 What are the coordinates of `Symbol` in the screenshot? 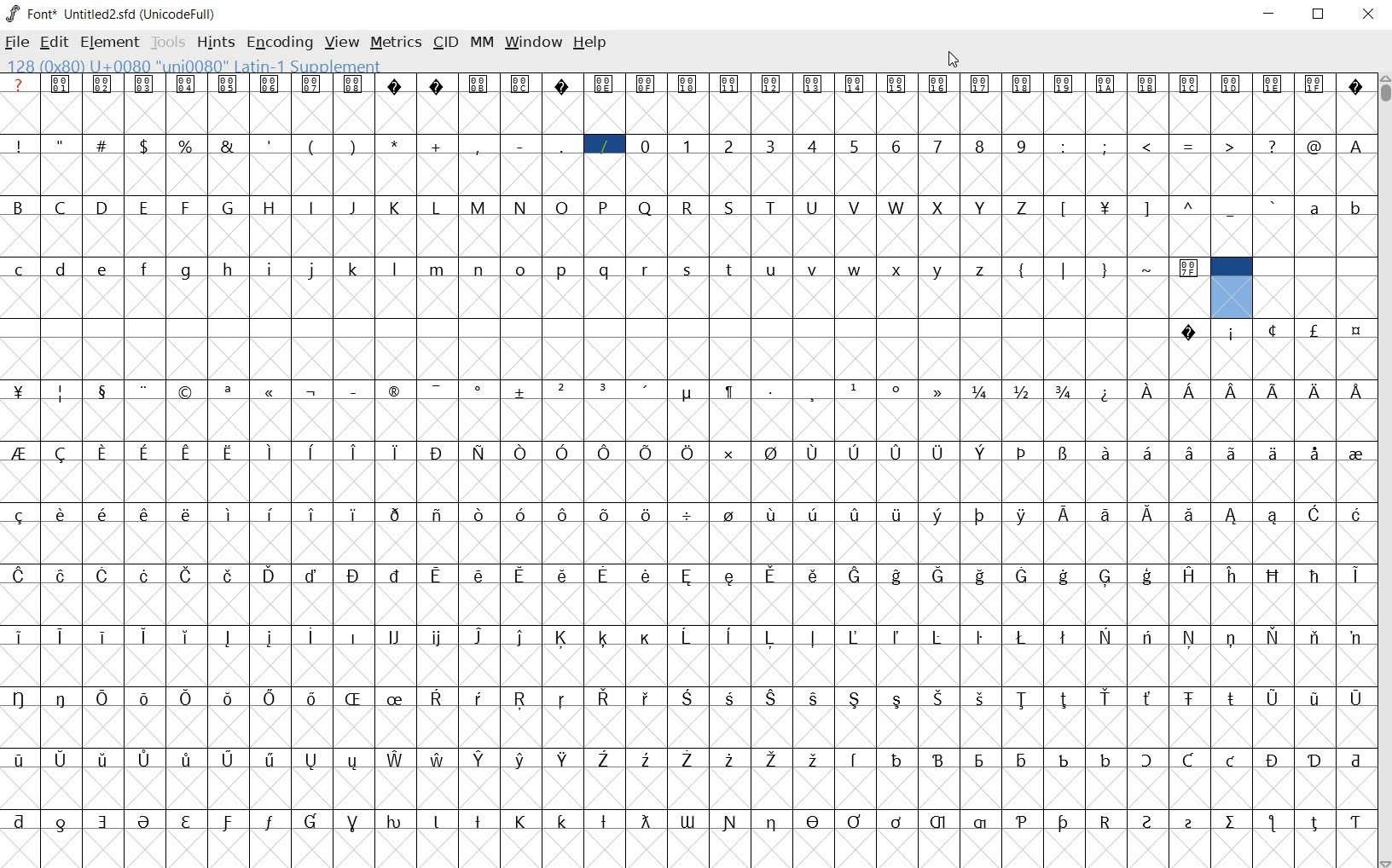 It's located at (937, 637).